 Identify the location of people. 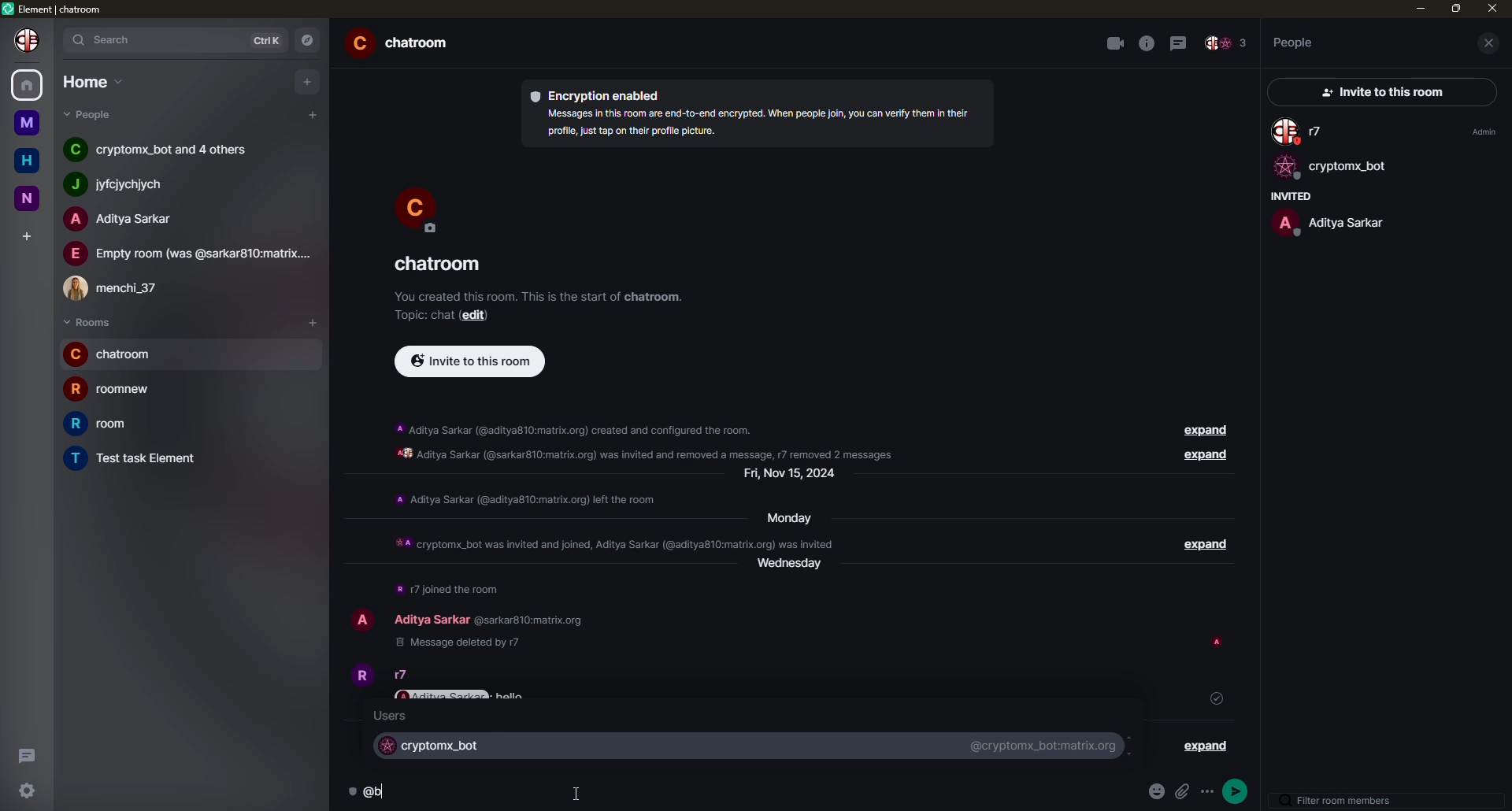
(1329, 222).